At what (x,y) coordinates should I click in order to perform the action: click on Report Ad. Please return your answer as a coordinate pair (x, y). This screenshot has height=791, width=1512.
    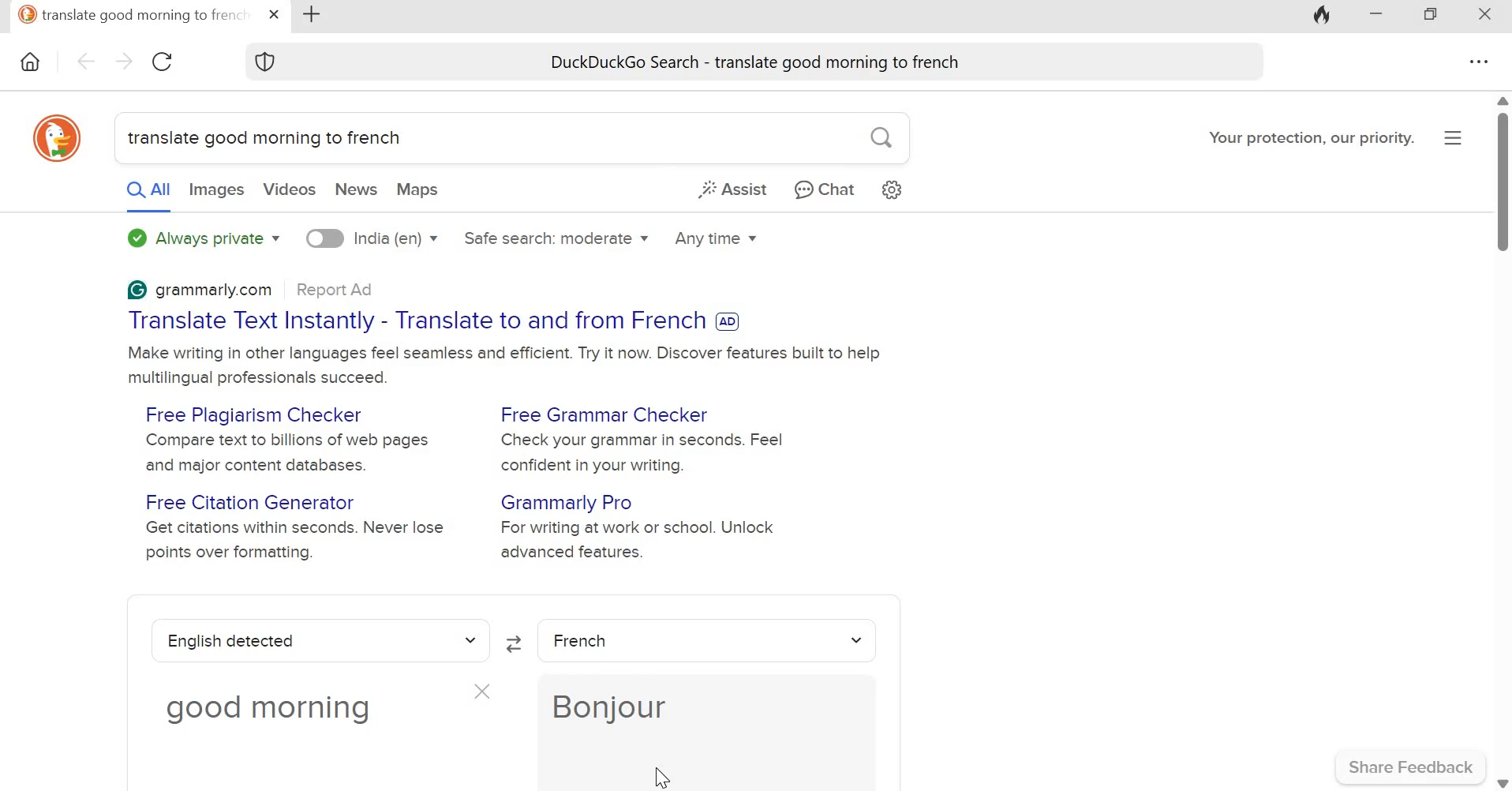
    Looking at the image, I should click on (340, 290).